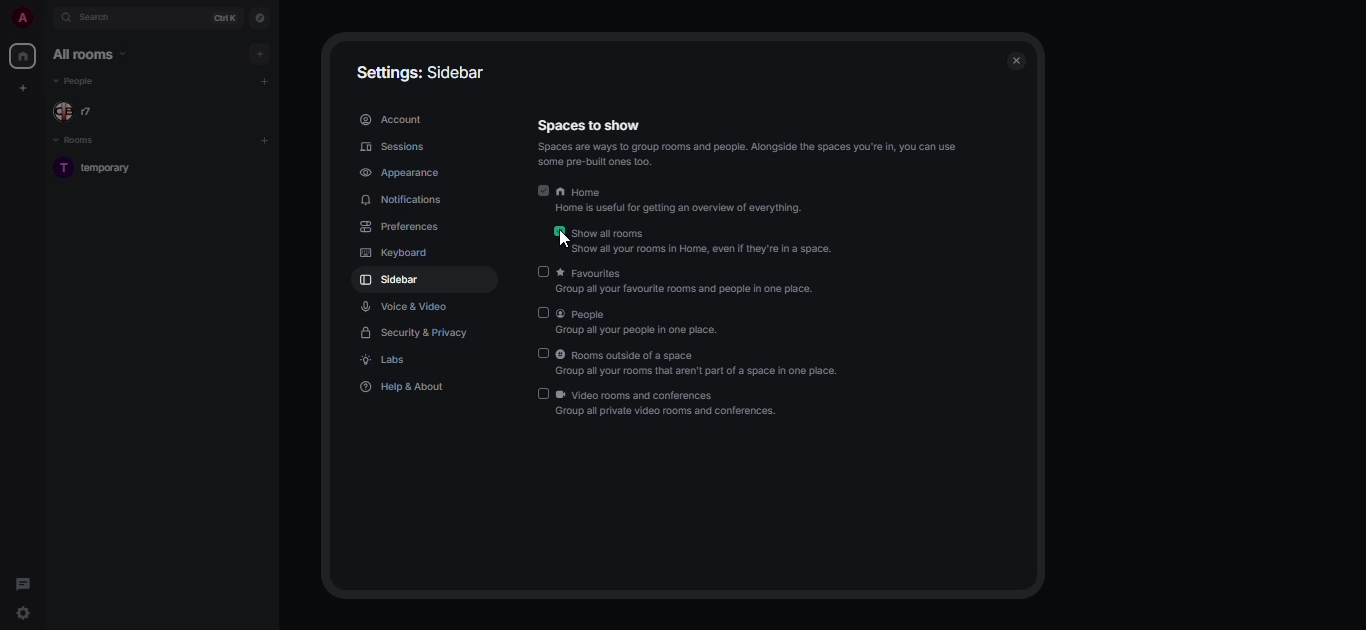 This screenshot has height=630, width=1366. What do you see at coordinates (544, 393) in the screenshot?
I see `disabled` at bounding box center [544, 393].